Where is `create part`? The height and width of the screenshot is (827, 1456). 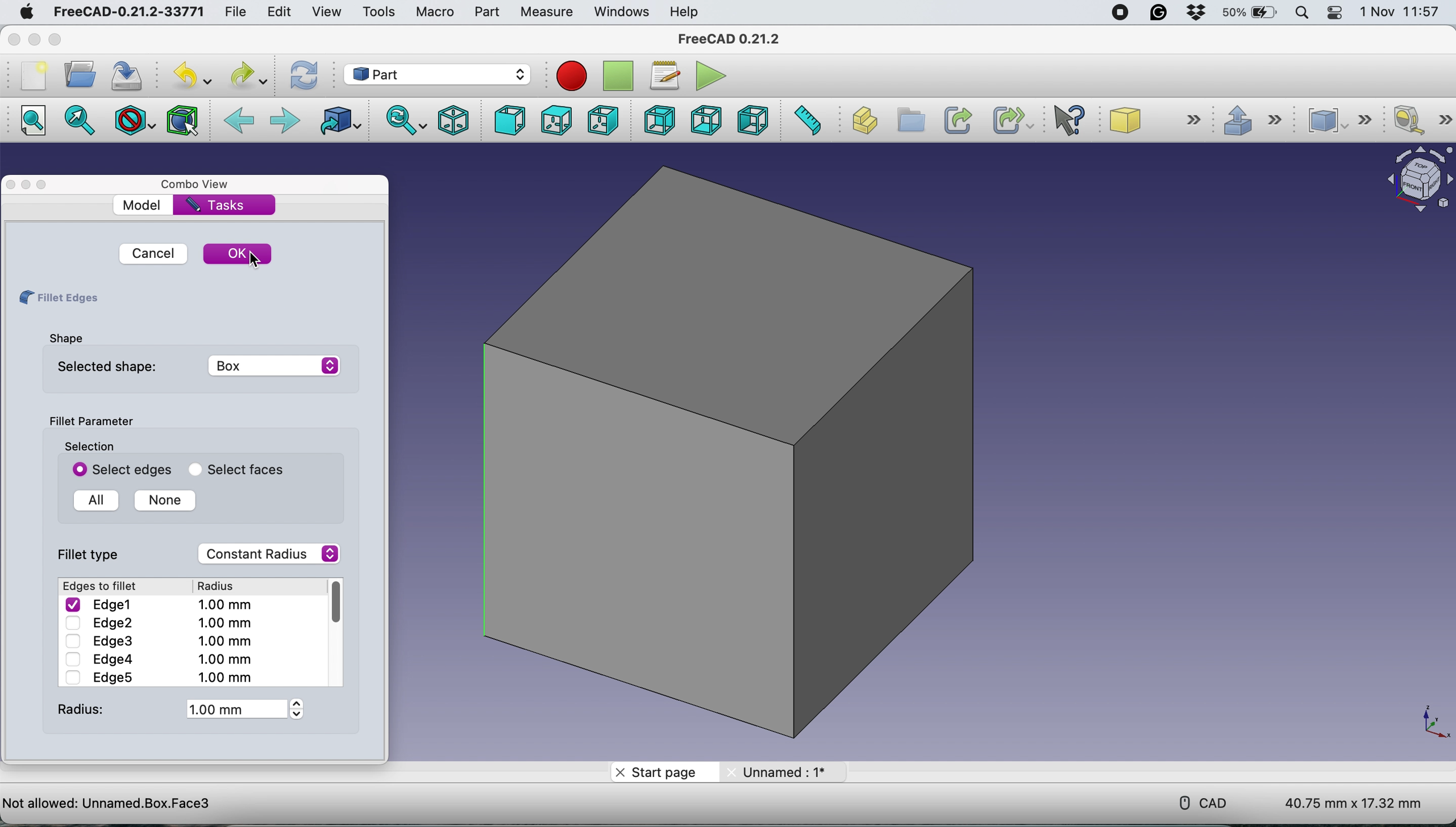
create part is located at coordinates (862, 120).